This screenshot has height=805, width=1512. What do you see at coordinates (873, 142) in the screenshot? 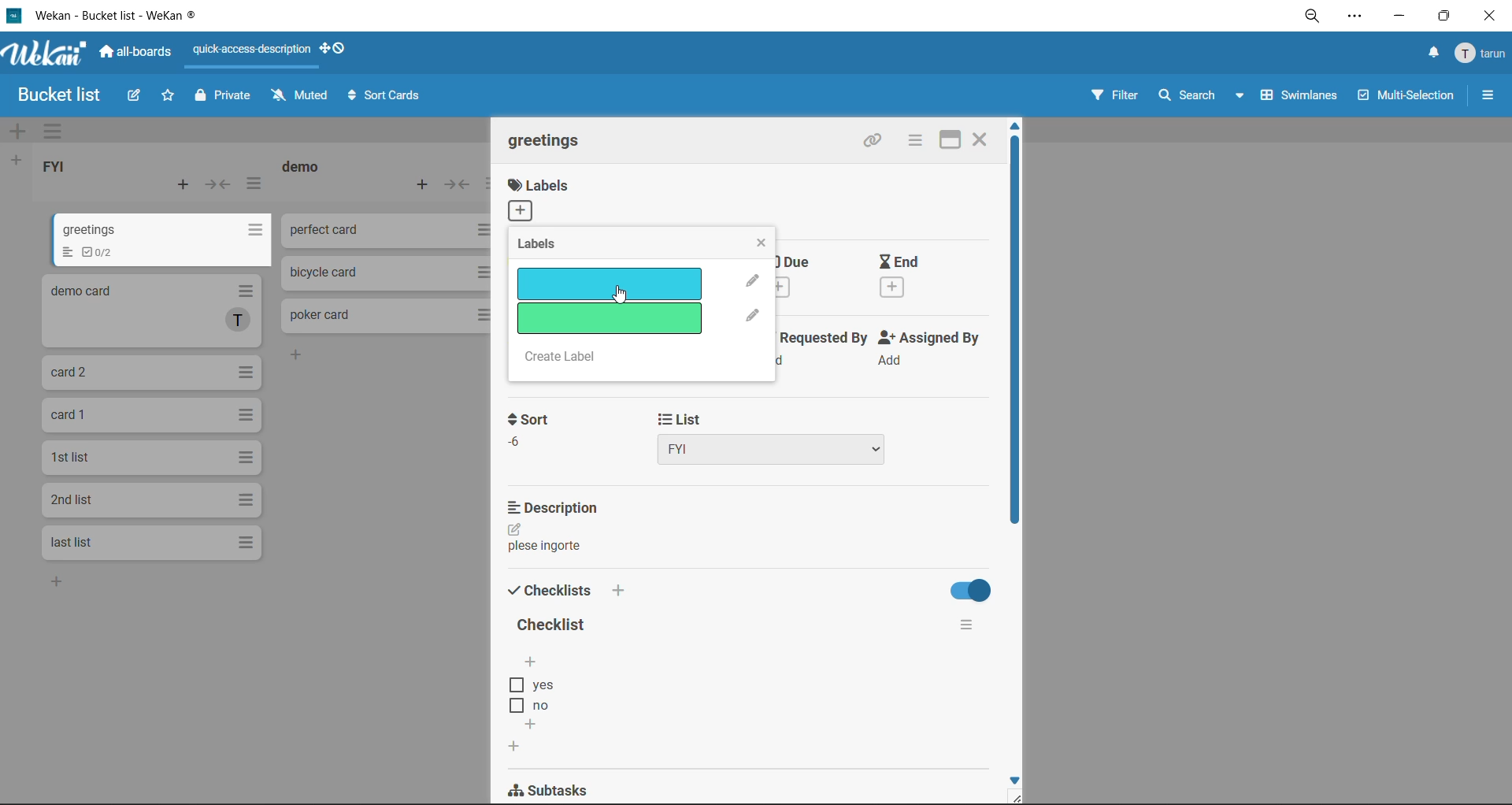
I see `copy link` at bounding box center [873, 142].